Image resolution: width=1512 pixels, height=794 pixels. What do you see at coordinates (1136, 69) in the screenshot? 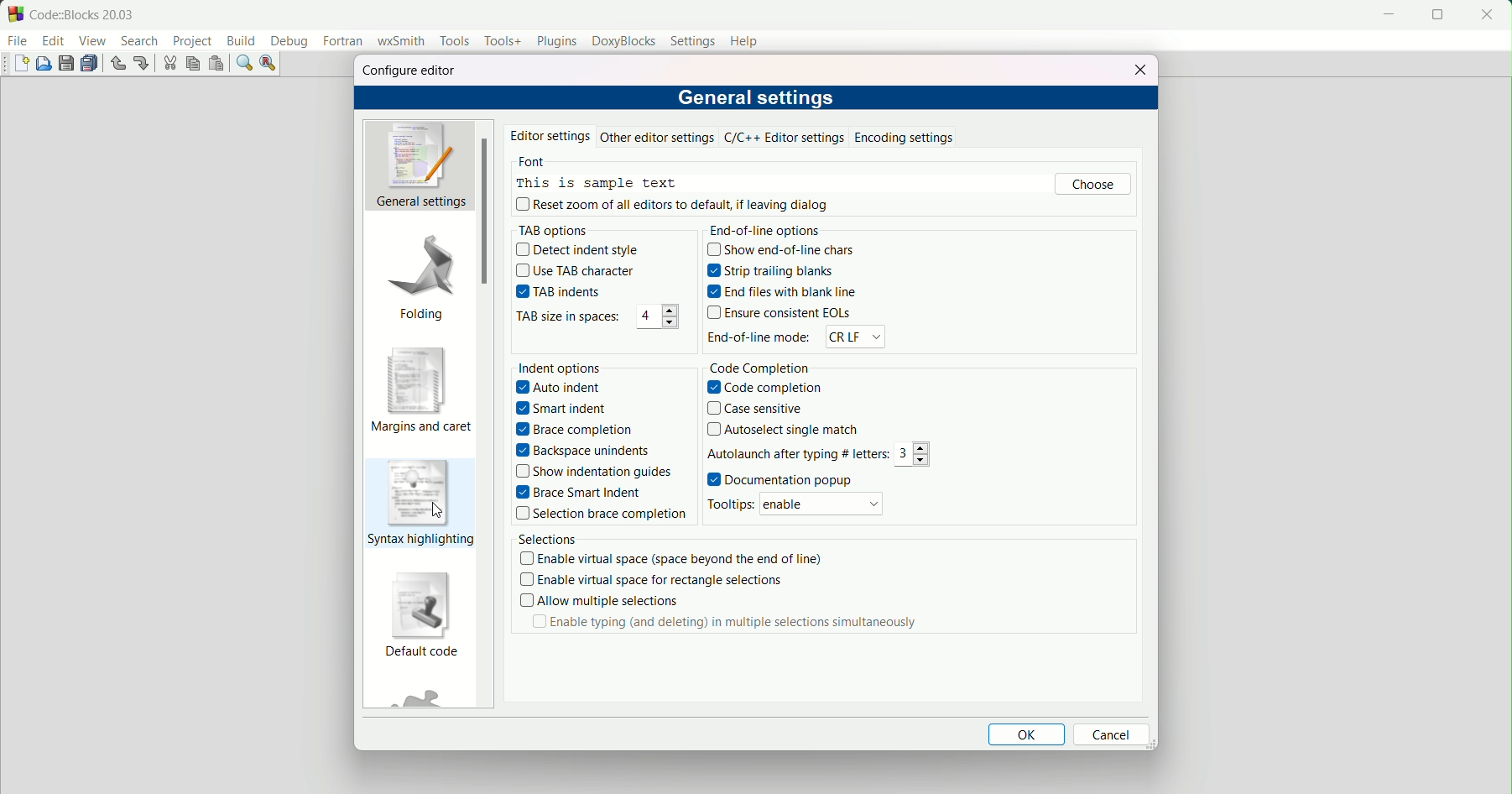
I see `close` at bounding box center [1136, 69].